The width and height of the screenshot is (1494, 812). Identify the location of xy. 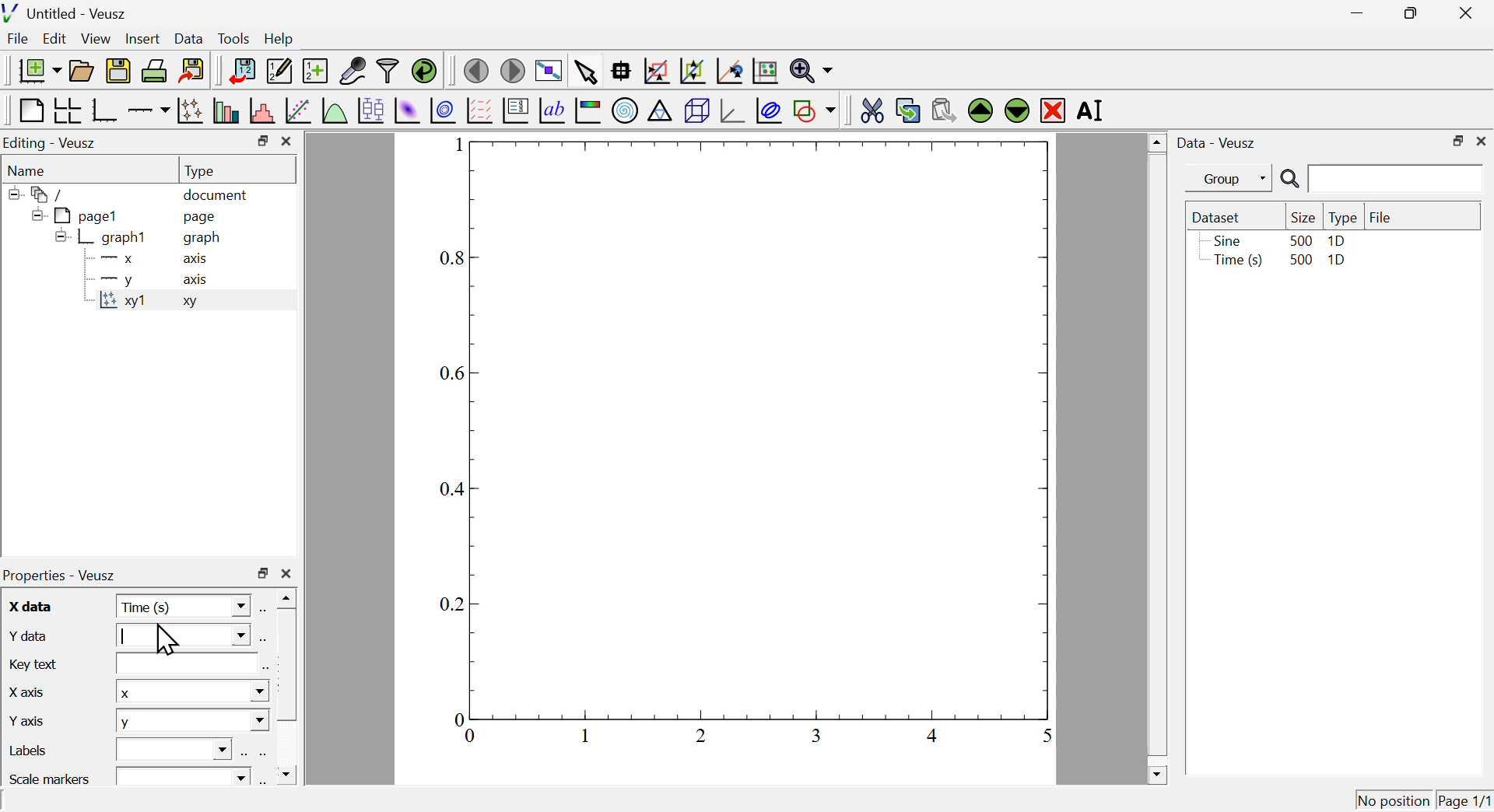
(195, 305).